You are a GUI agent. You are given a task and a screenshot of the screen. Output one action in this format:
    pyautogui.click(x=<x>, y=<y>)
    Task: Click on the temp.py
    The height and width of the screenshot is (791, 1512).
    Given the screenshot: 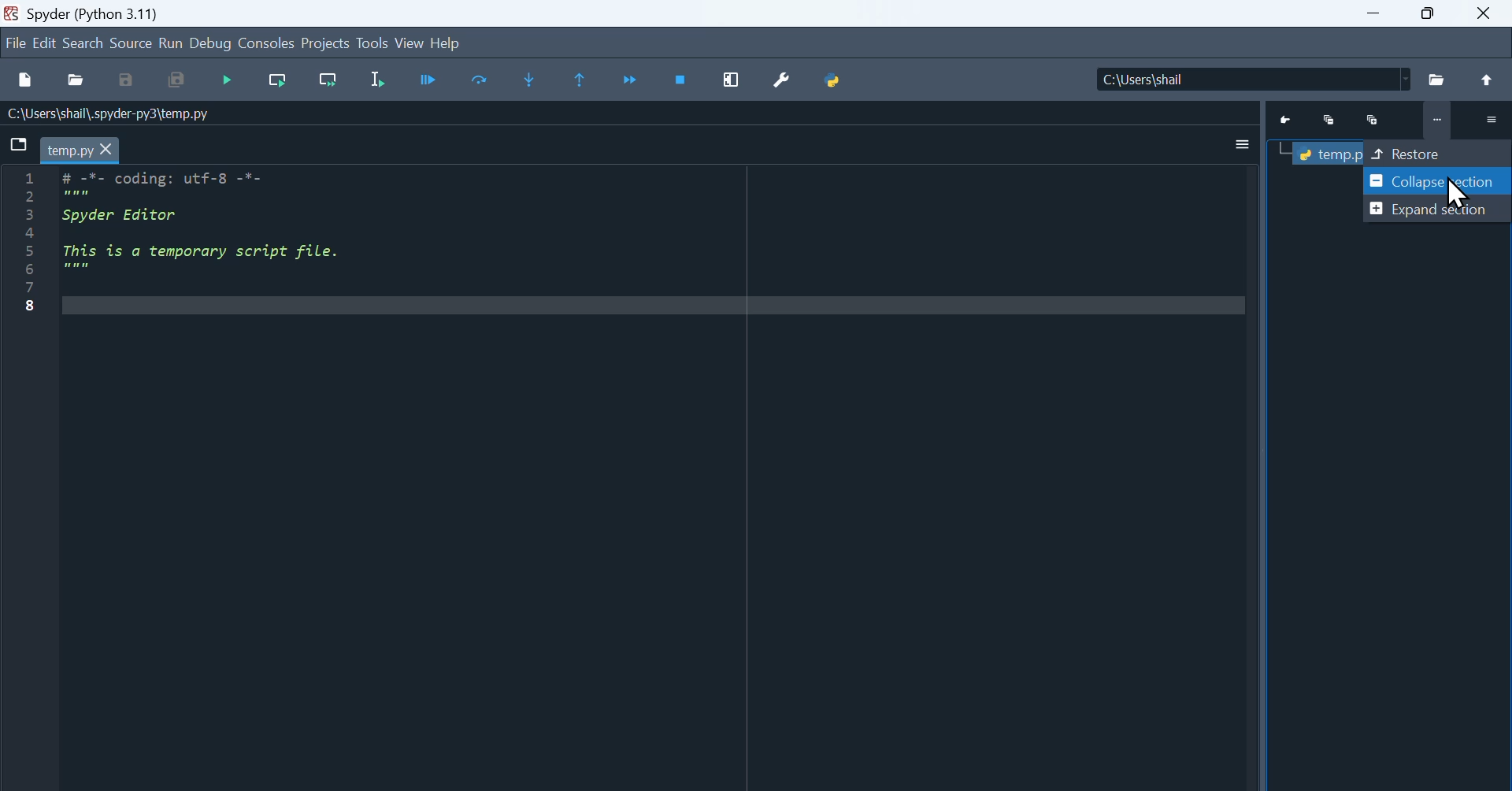 What is the action you would take?
    pyautogui.click(x=70, y=150)
    